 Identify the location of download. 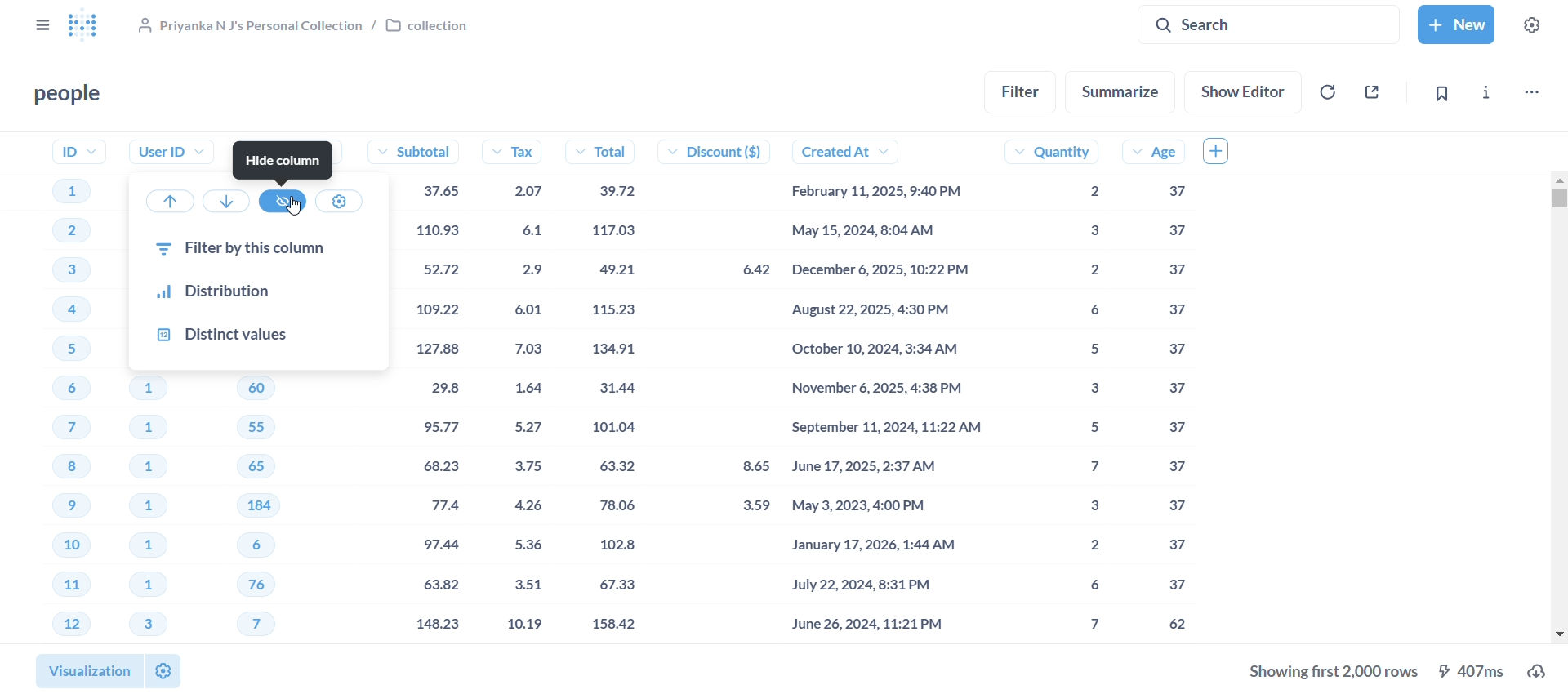
(1392, 670).